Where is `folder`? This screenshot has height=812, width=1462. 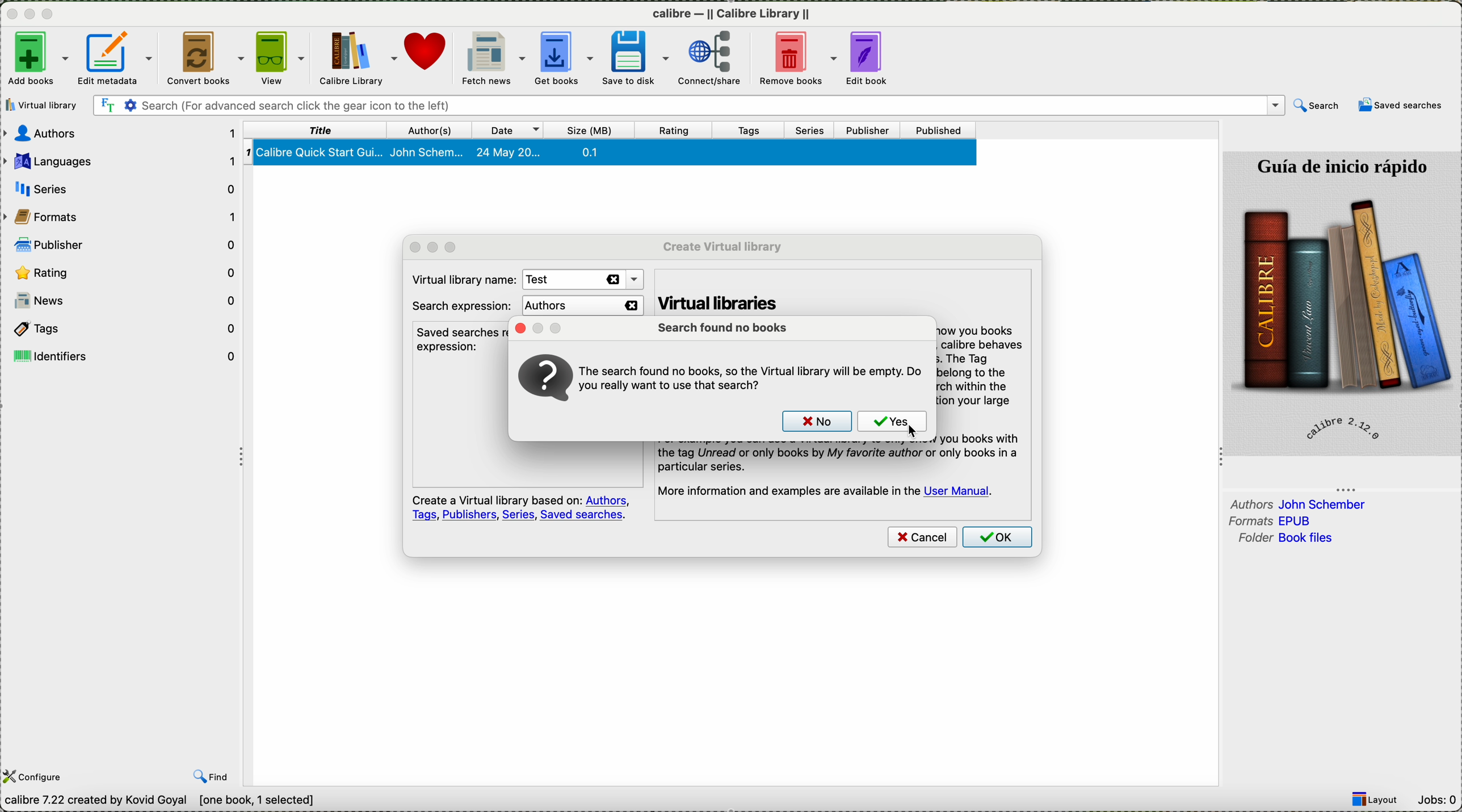 folder is located at coordinates (1283, 538).